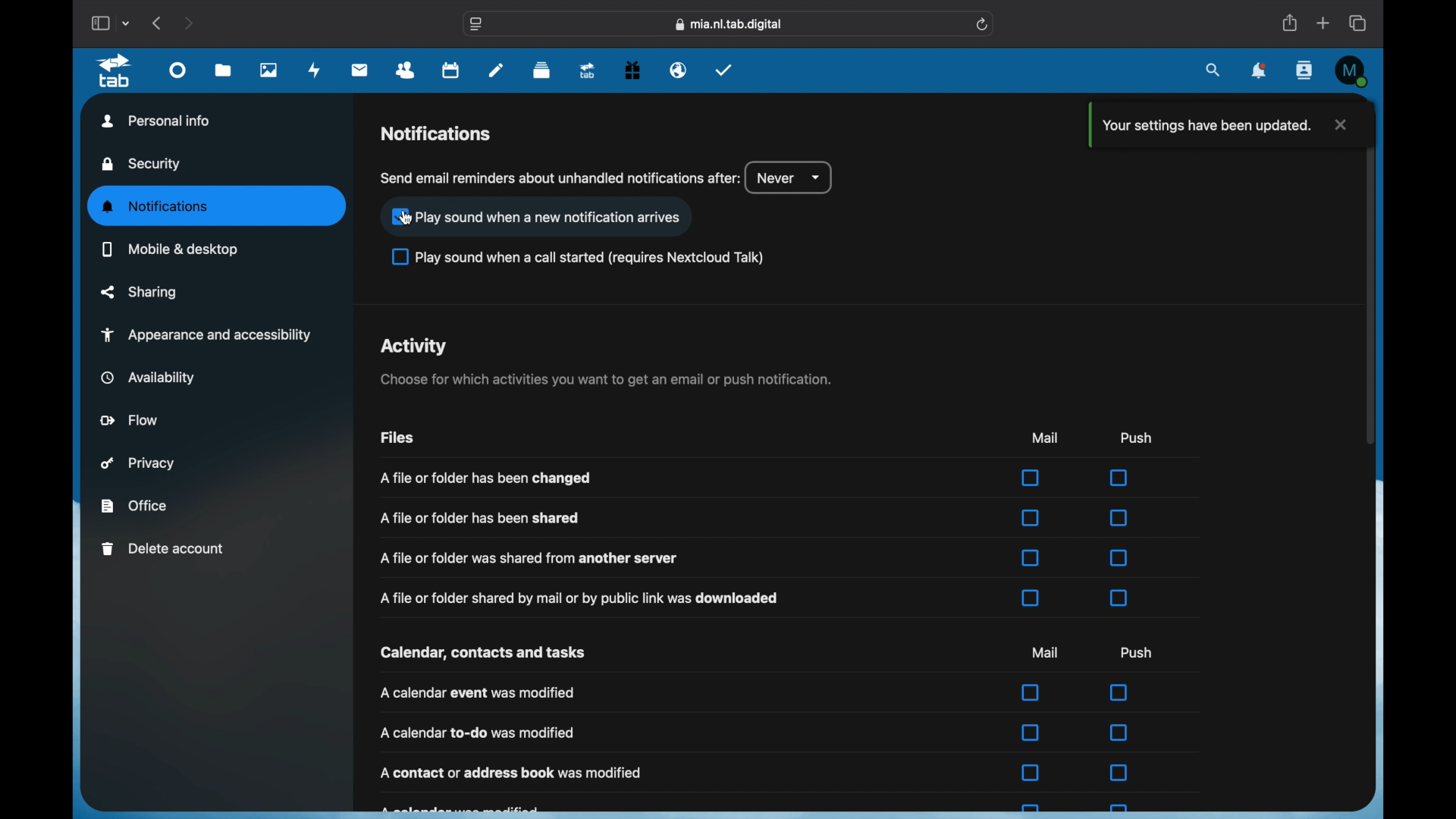 This screenshot has height=819, width=1456. Describe the element at coordinates (406, 218) in the screenshot. I see `cursor` at that location.